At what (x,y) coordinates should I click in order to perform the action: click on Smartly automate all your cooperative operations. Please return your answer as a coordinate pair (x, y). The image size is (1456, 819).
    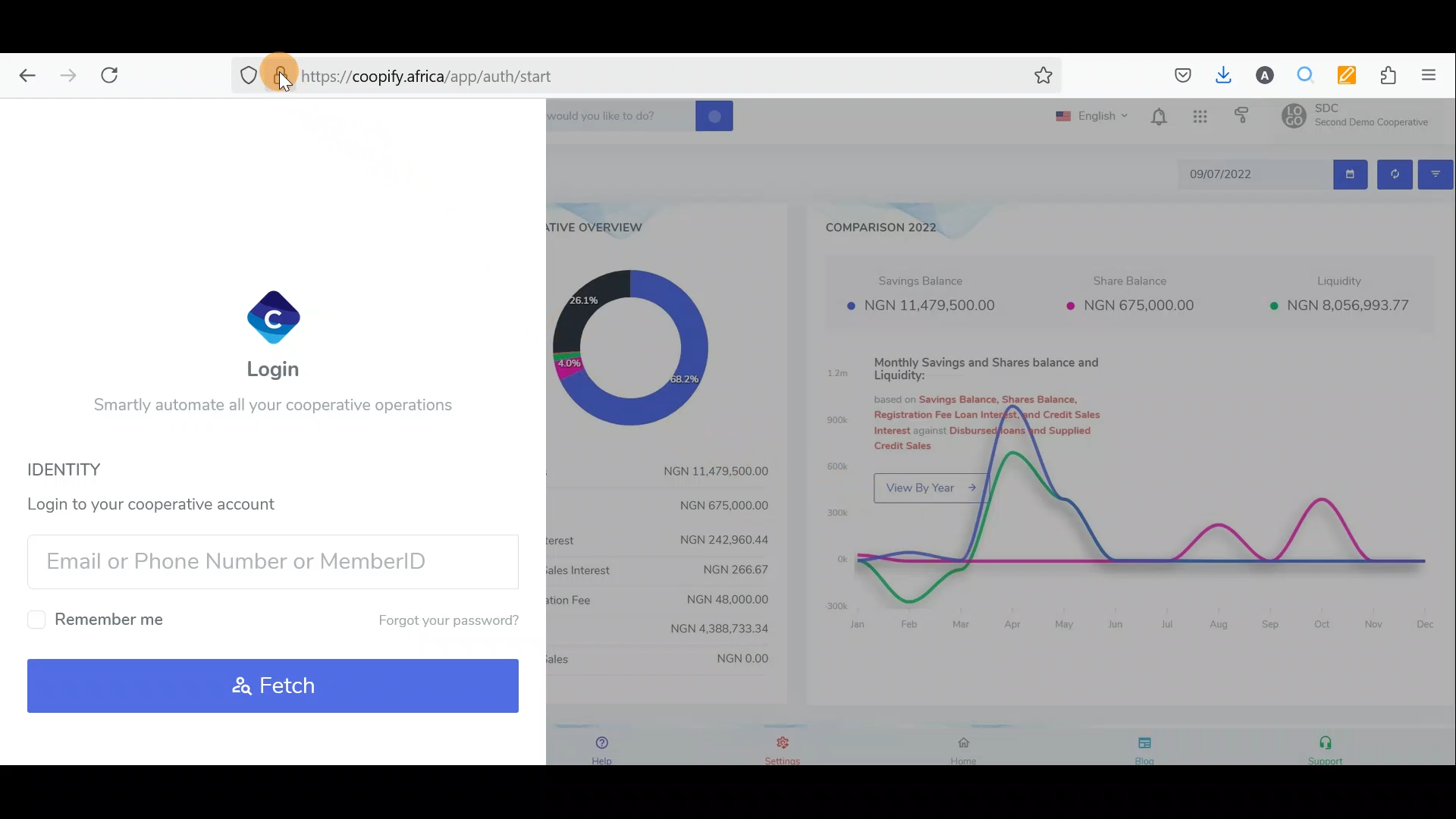
    Looking at the image, I should click on (271, 409).